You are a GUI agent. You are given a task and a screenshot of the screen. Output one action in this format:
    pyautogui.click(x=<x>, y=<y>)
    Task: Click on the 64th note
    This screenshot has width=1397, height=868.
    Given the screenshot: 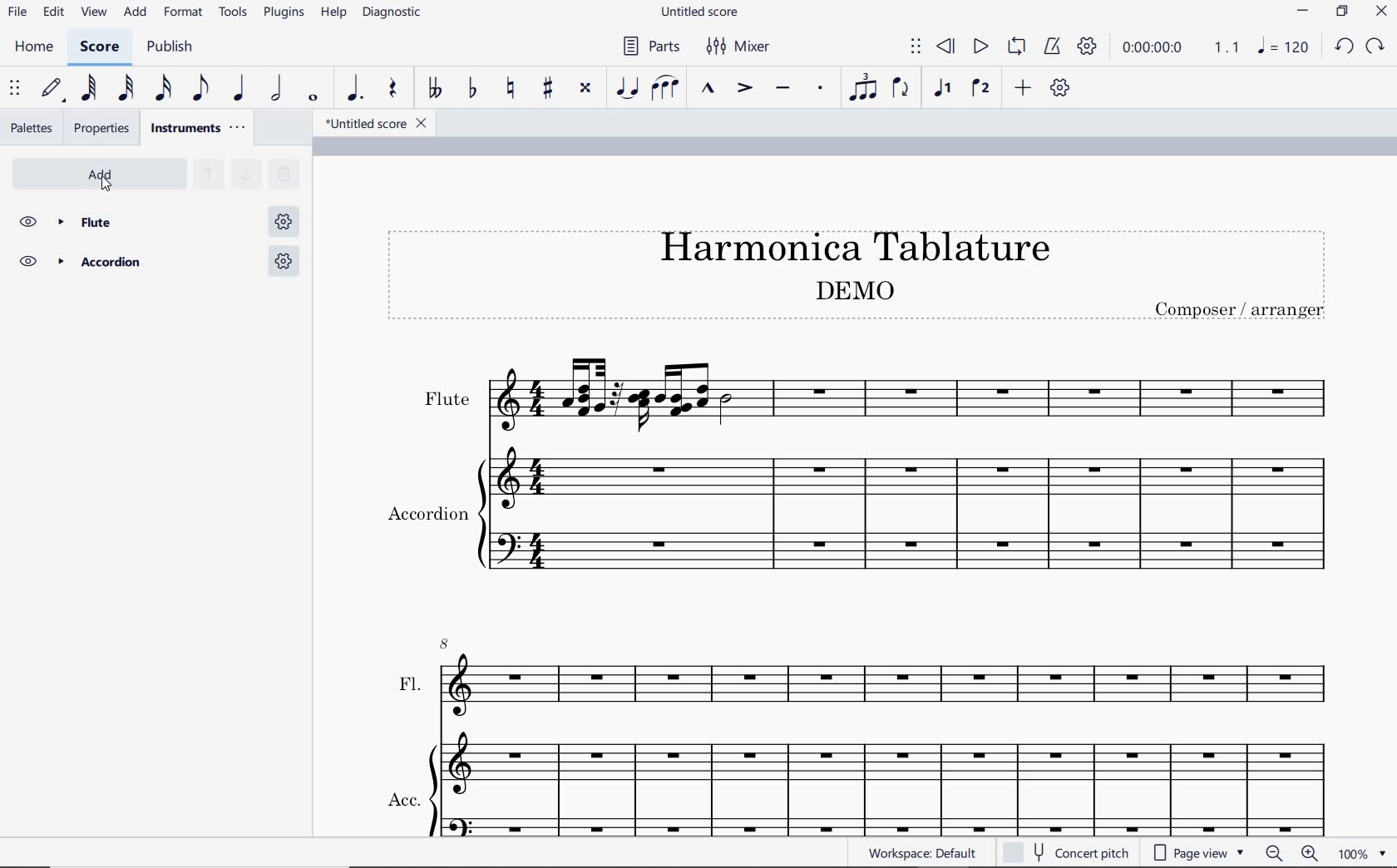 What is the action you would take?
    pyautogui.click(x=89, y=88)
    